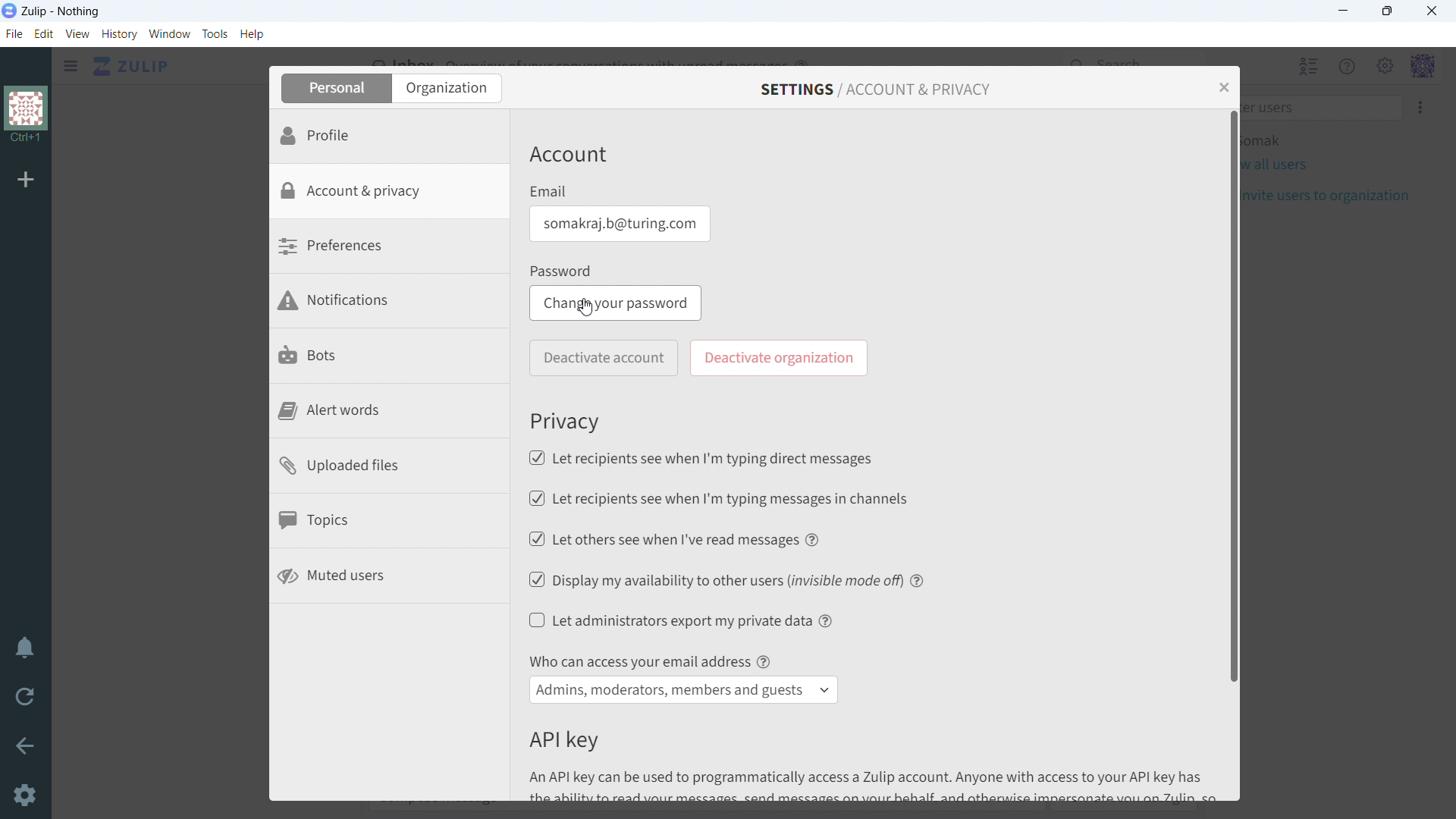  I want to click on let others see when i've read messages, so click(661, 538).